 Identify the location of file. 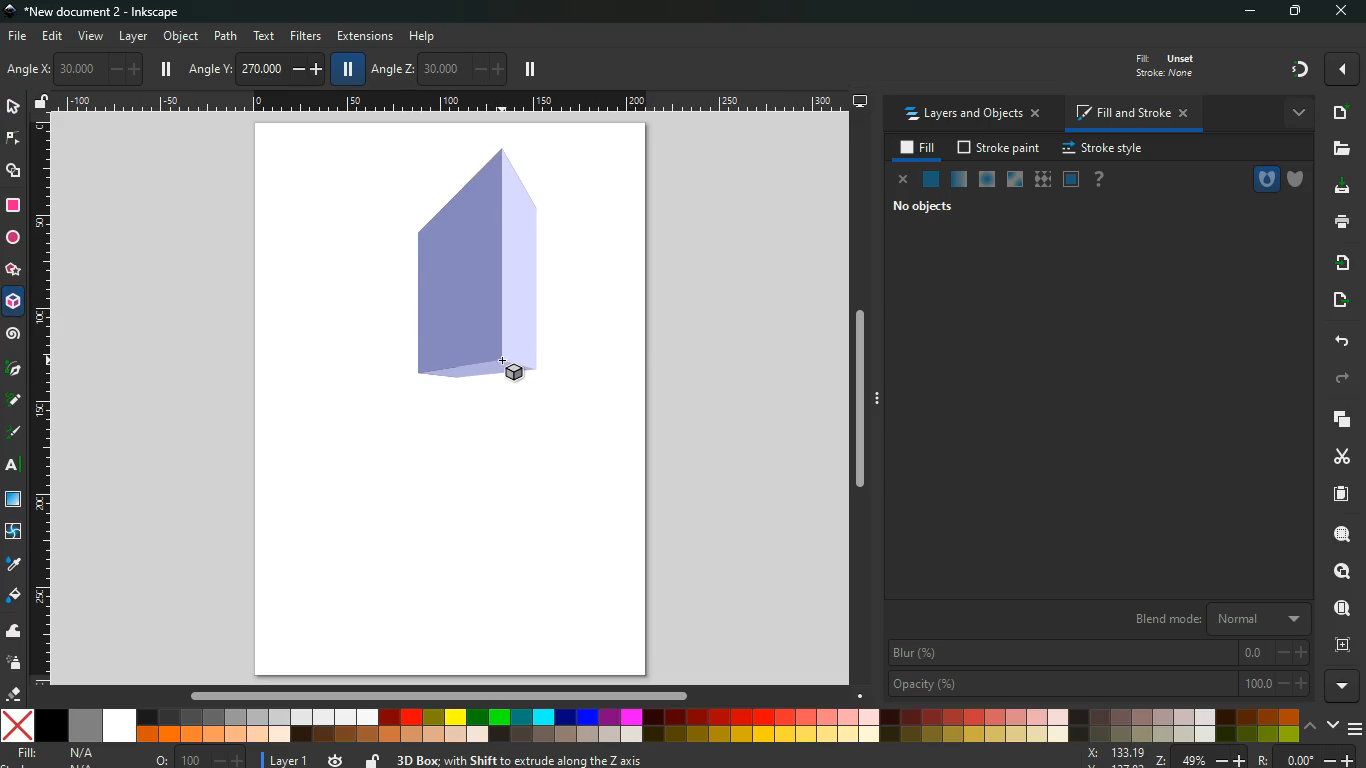
(16, 37).